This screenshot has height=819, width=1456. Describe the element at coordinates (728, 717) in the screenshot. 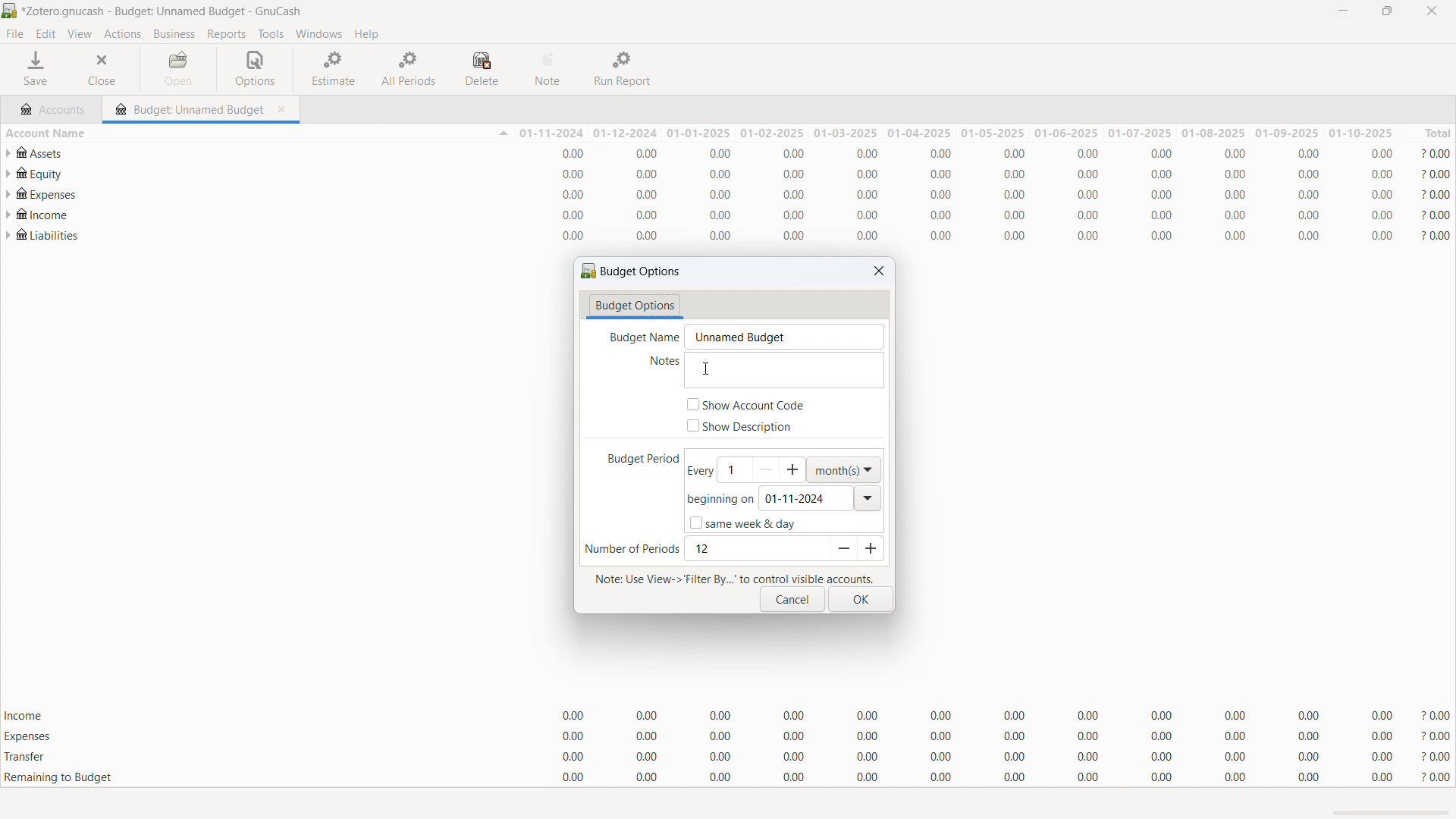

I see `Income totals` at that location.